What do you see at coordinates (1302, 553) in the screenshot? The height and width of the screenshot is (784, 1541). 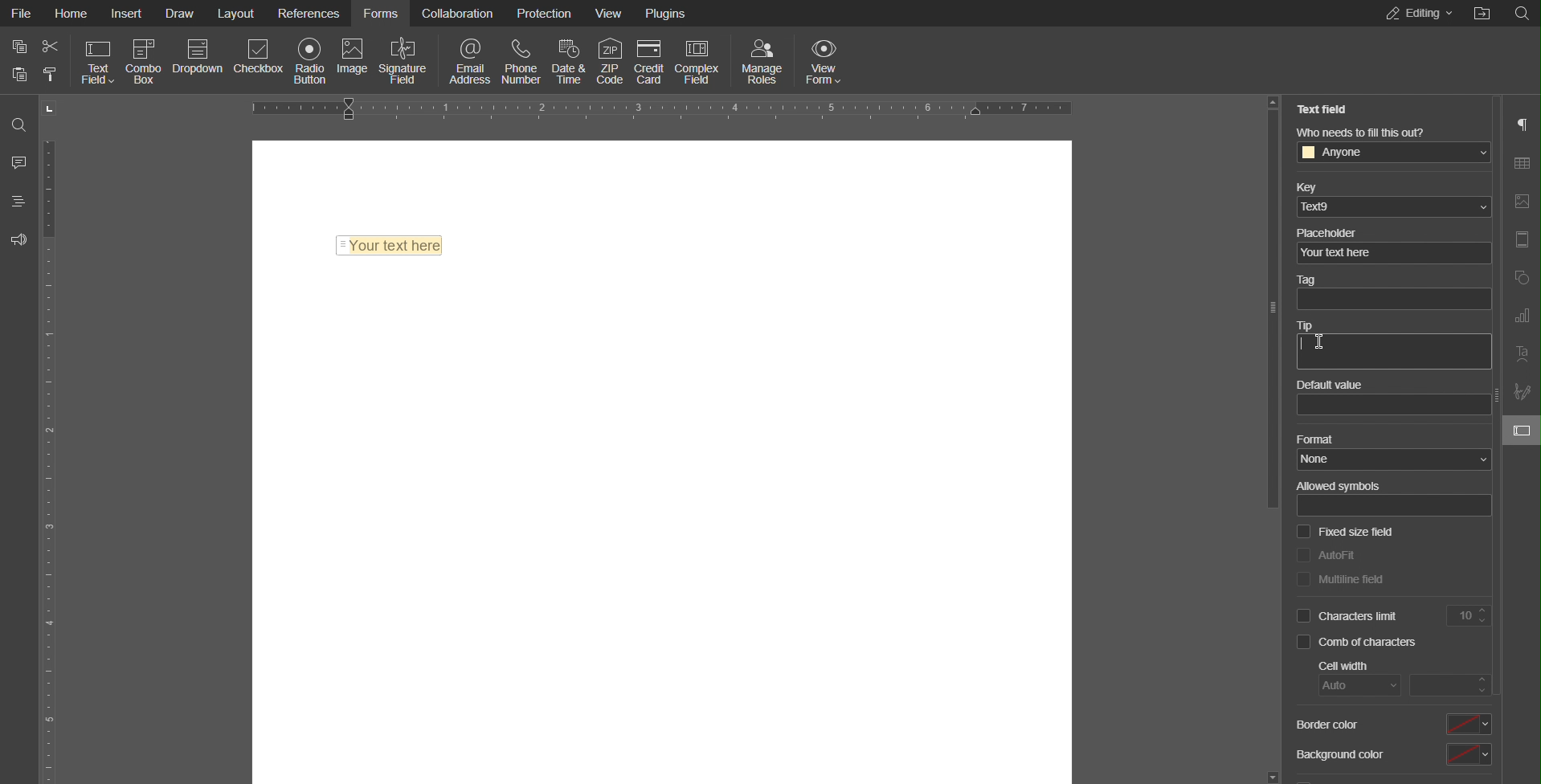 I see `checkbox` at bounding box center [1302, 553].